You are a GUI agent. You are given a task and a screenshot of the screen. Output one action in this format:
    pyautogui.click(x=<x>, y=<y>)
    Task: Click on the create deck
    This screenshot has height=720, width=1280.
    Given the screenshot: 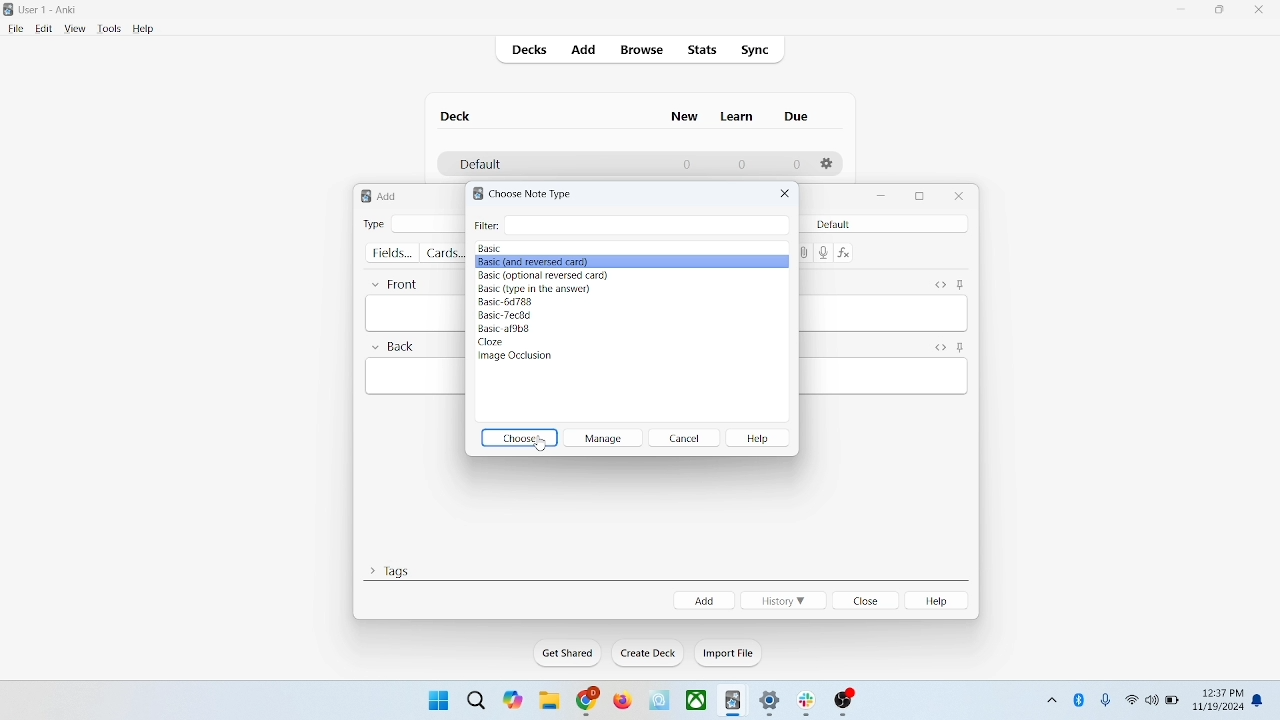 What is the action you would take?
    pyautogui.click(x=649, y=653)
    